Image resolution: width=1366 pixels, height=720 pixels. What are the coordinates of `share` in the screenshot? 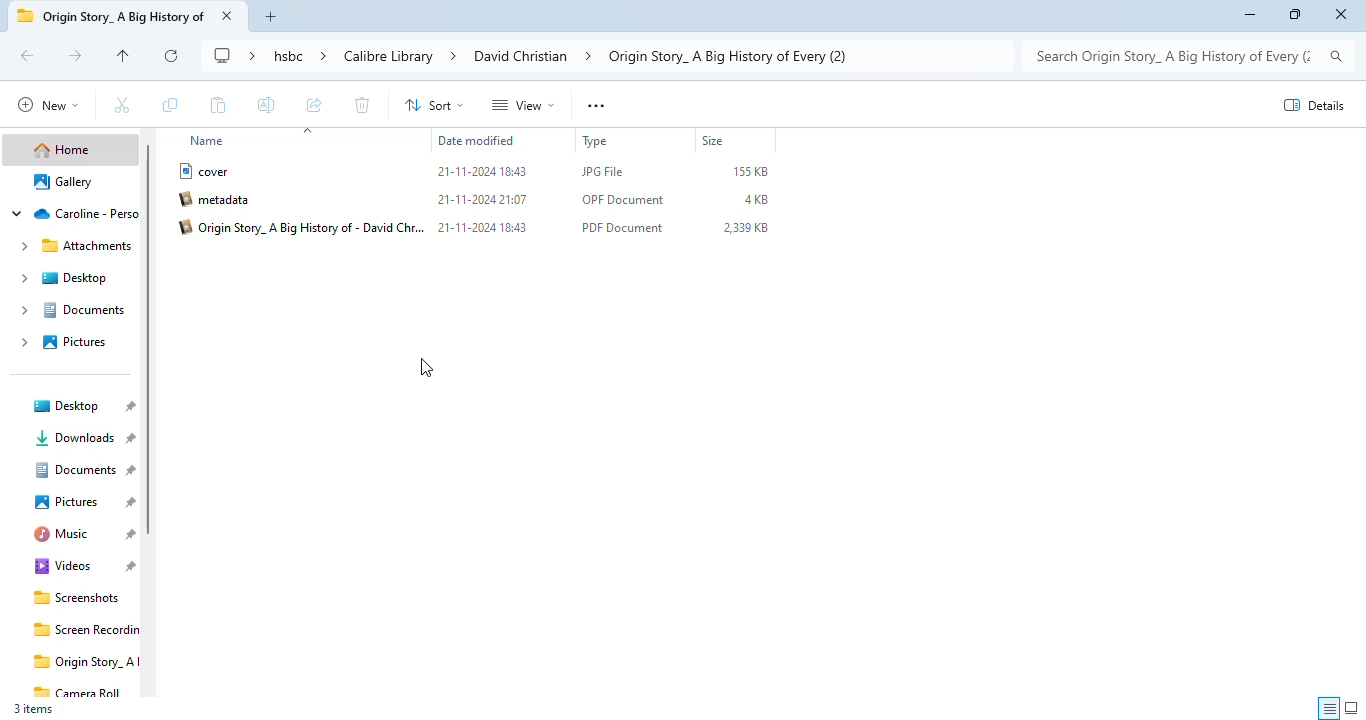 It's located at (316, 103).